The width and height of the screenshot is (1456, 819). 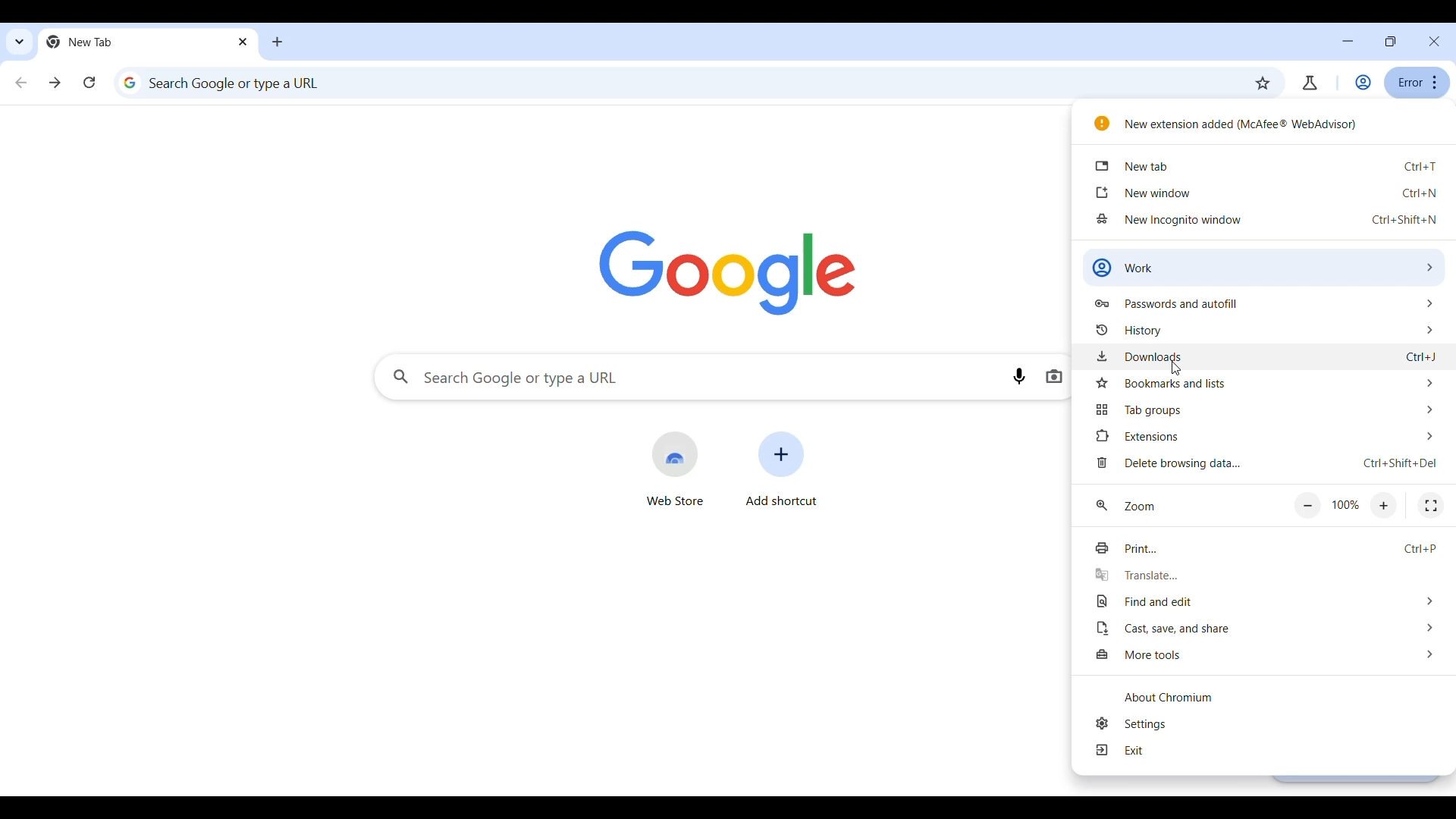 I want to click on 100%, so click(x=1347, y=505).